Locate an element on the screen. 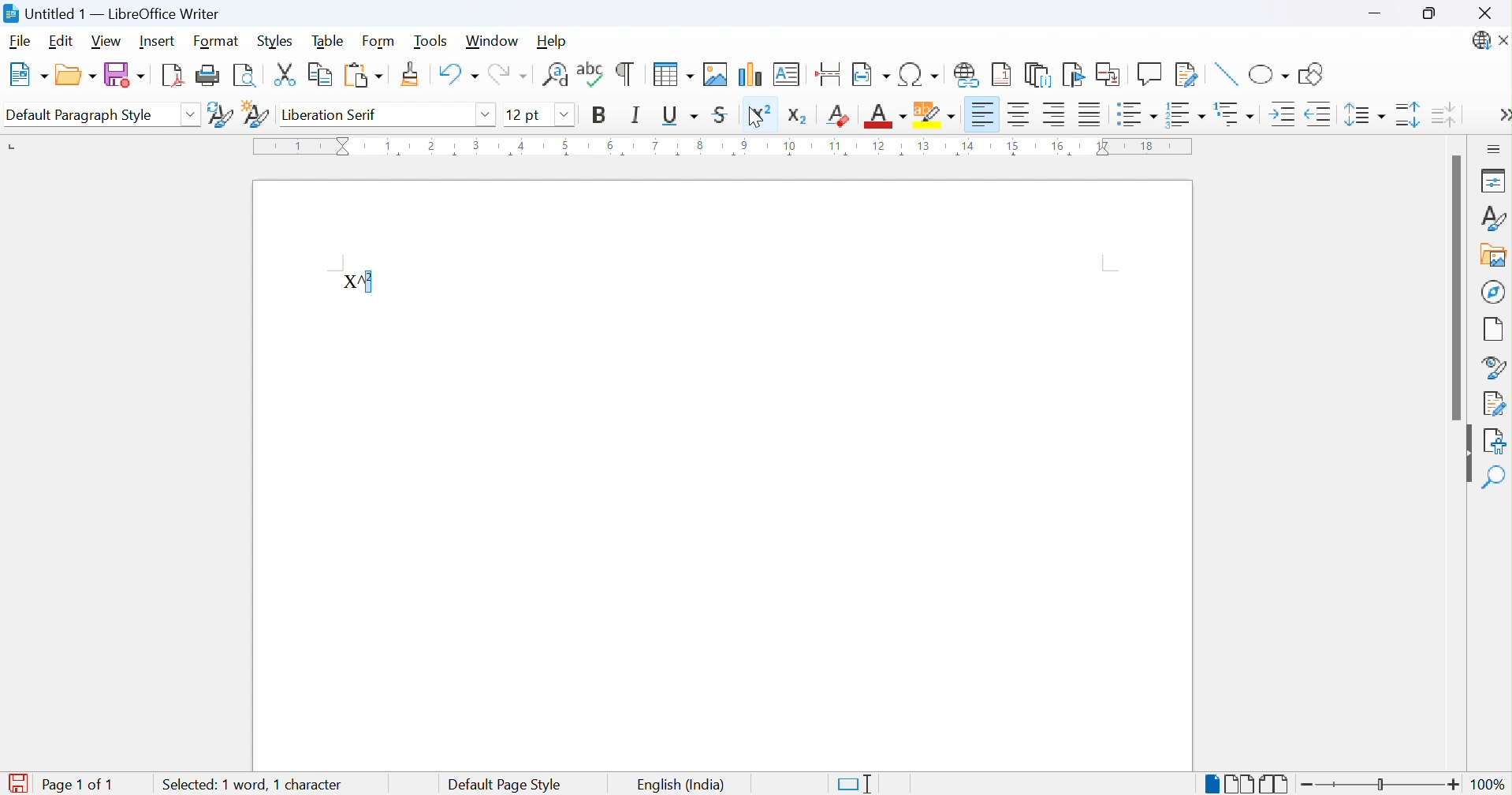  Import as PDF is located at coordinates (175, 74).